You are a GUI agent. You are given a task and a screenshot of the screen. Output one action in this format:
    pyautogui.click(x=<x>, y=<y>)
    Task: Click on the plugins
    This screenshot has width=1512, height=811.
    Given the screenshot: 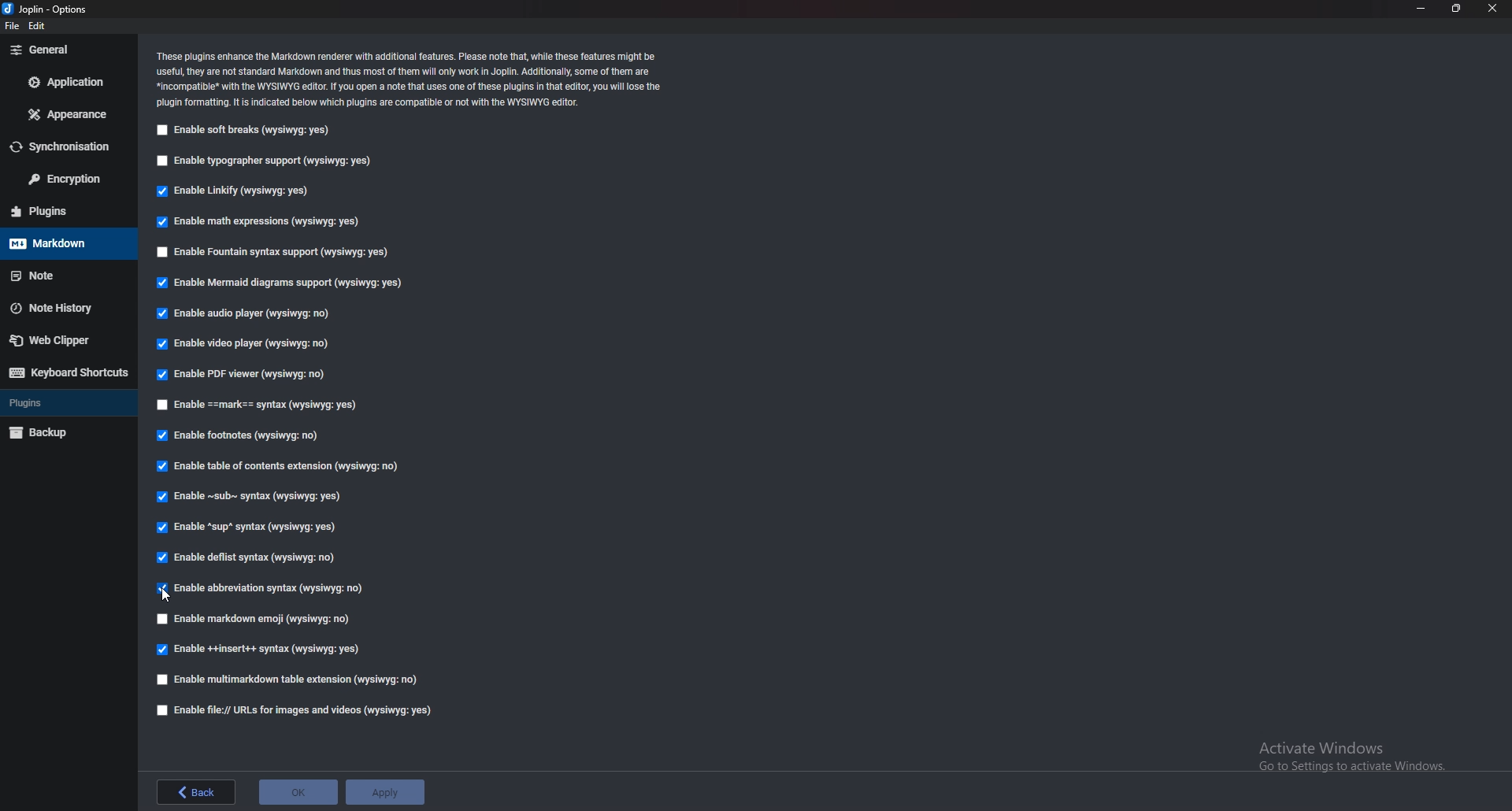 What is the action you would take?
    pyautogui.click(x=64, y=211)
    